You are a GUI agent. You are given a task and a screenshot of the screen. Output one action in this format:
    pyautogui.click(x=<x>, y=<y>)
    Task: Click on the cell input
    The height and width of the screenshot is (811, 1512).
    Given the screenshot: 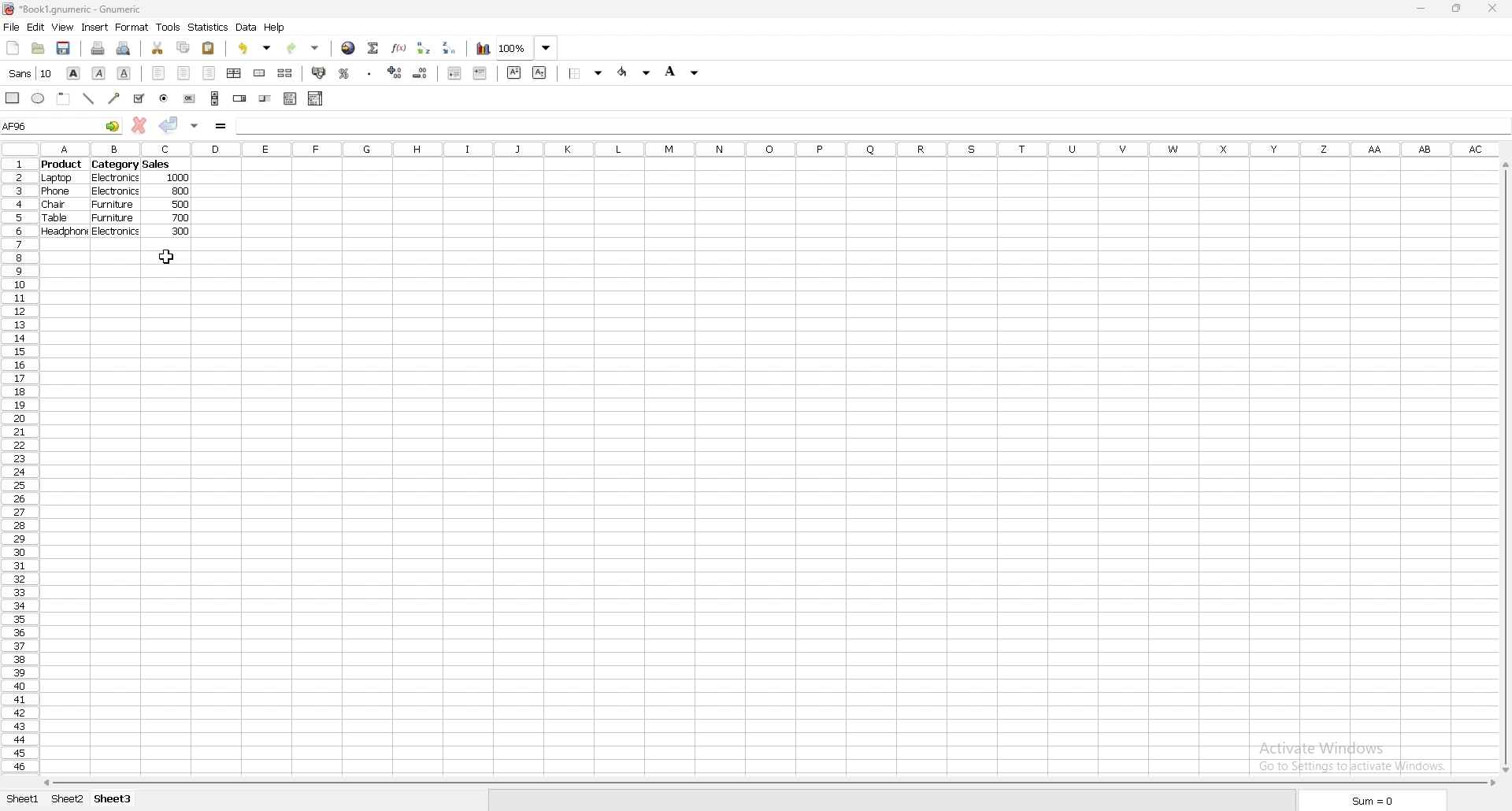 What is the action you would take?
    pyautogui.click(x=867, y=125)
    